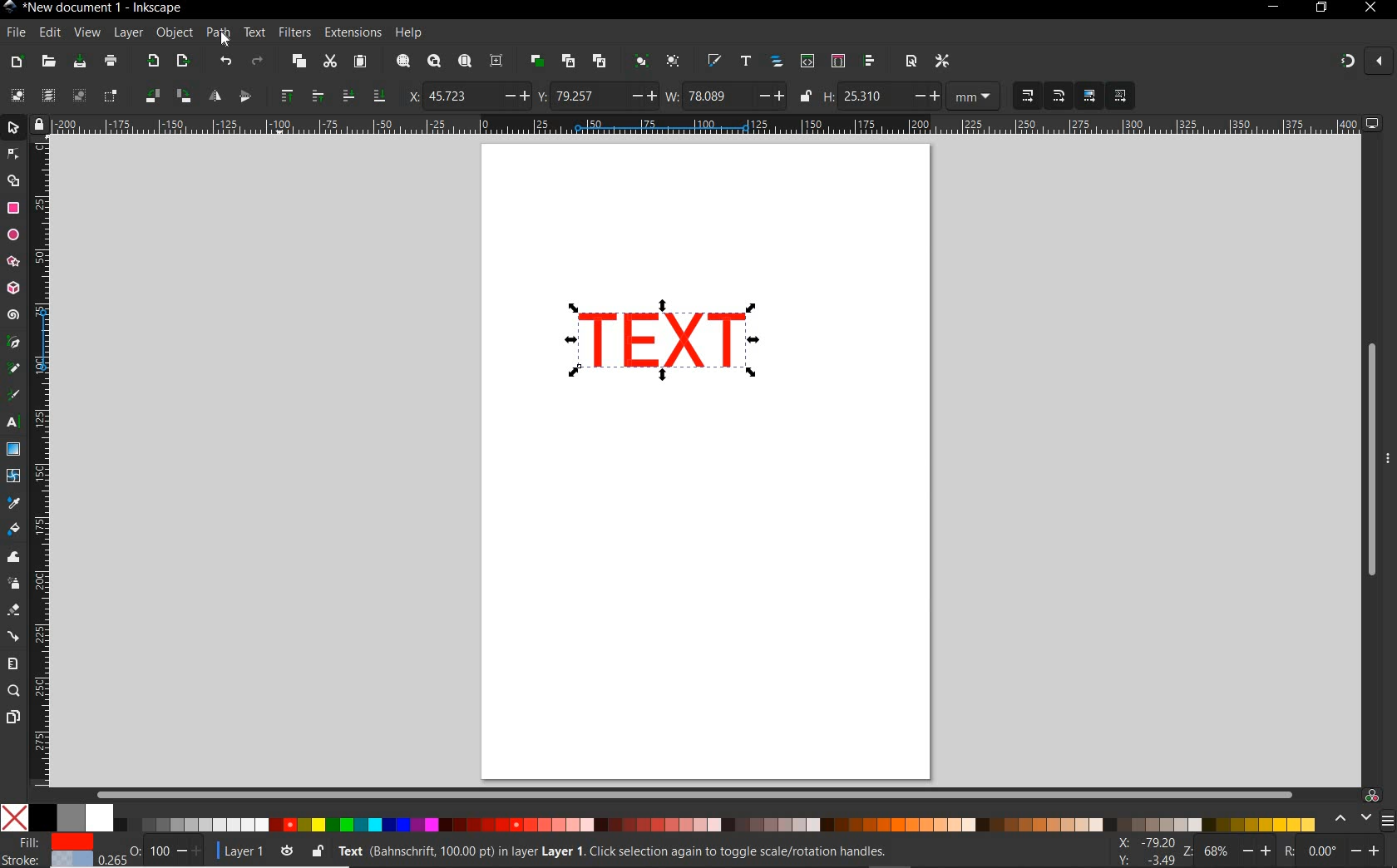 Image resolution: width=1397 pixels, height=868 pixels. What do you see at coordinates (13, 316) in the screenshot?
I see `SPIRAL TOOL` at bounding box center [13, 316].